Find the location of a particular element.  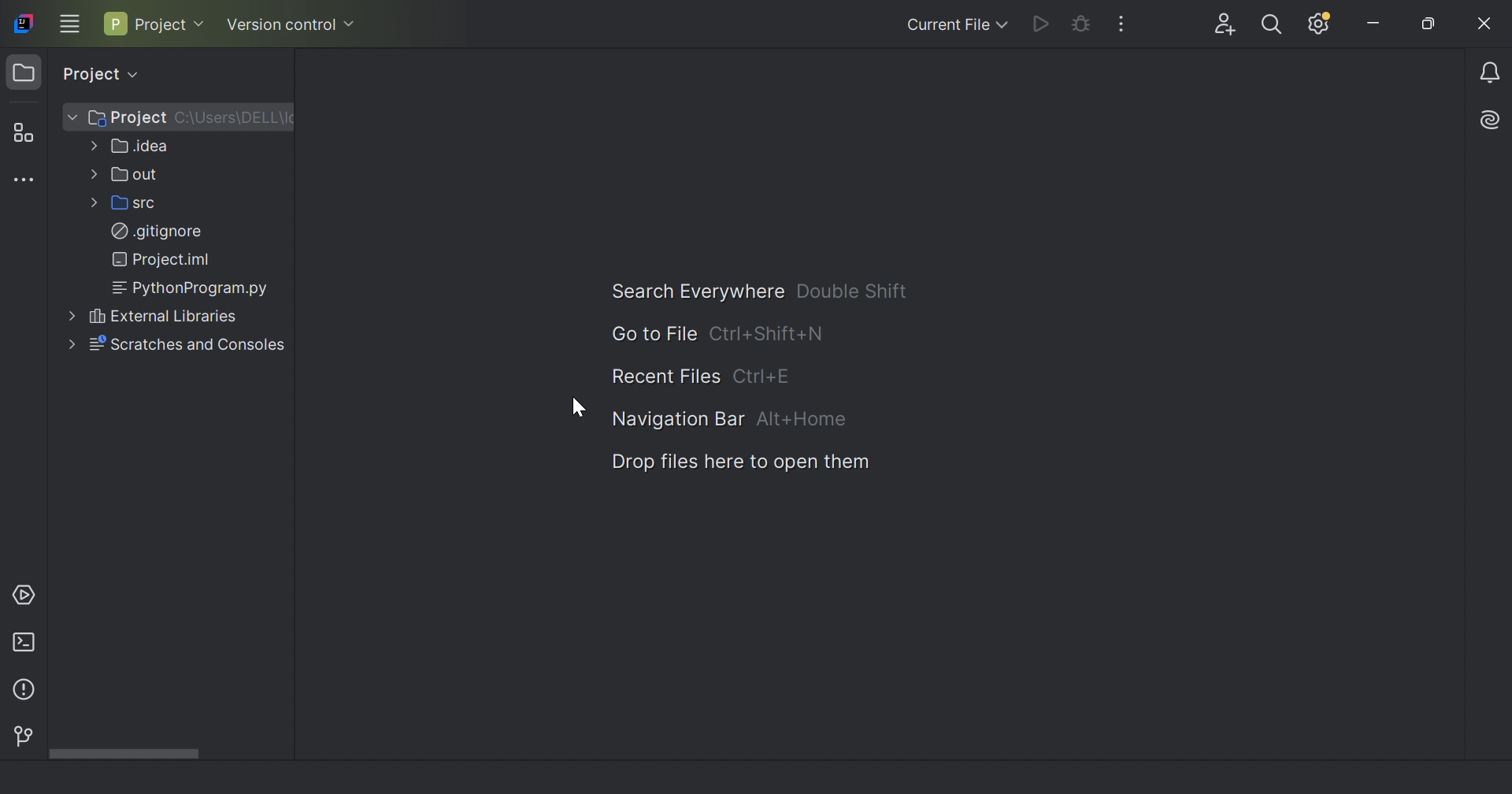

Main menu is located at coordinates (70, 23).